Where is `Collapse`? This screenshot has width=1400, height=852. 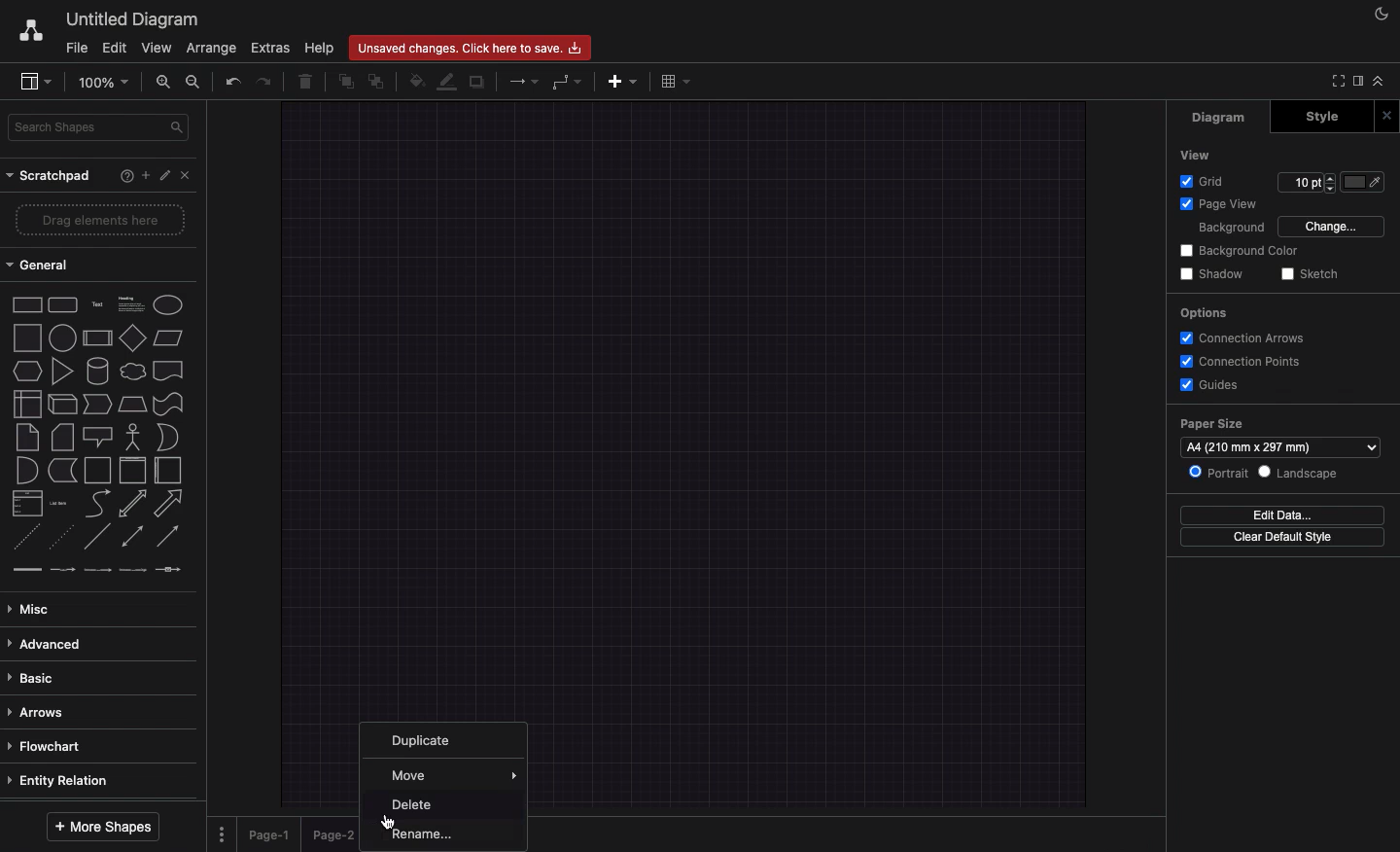 Collapse is located at coordinates (1382, 83).